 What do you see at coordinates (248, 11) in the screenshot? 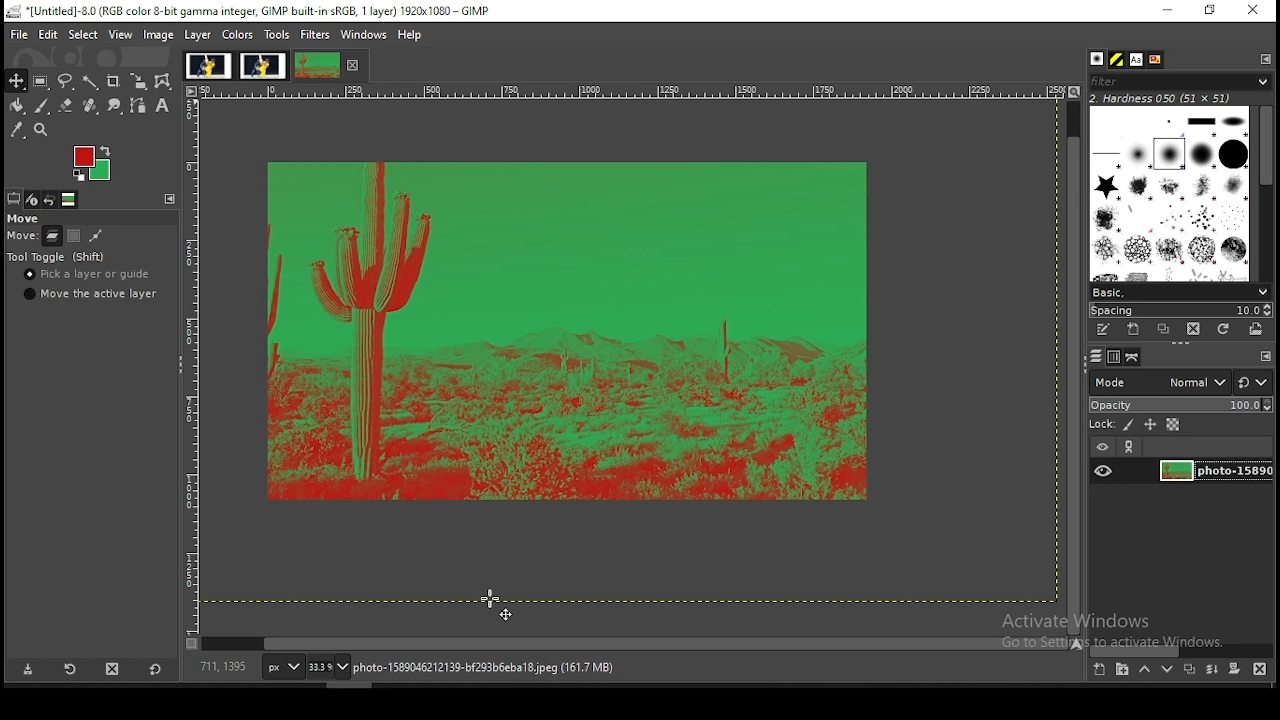
I see `icon and file name` at bounding box center [248, 11].